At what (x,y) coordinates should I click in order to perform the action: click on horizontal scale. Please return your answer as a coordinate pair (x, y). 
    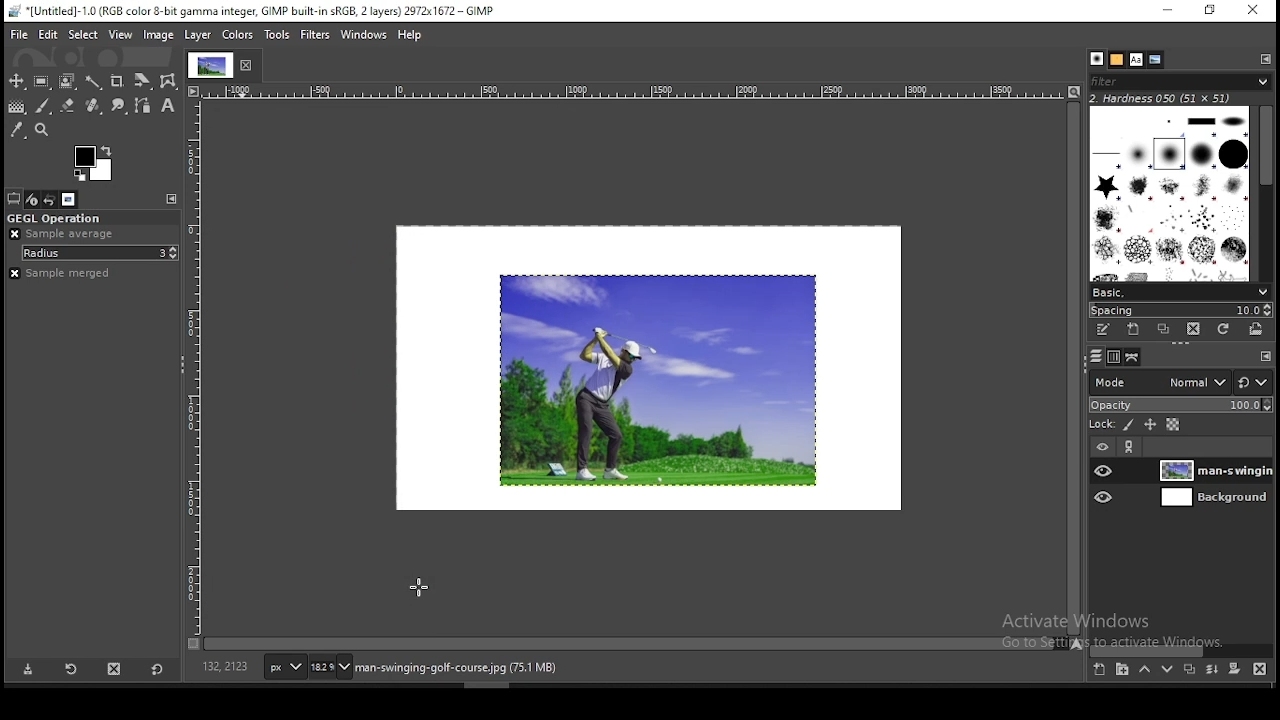
    Looking at the image, I should click on (633, 93).